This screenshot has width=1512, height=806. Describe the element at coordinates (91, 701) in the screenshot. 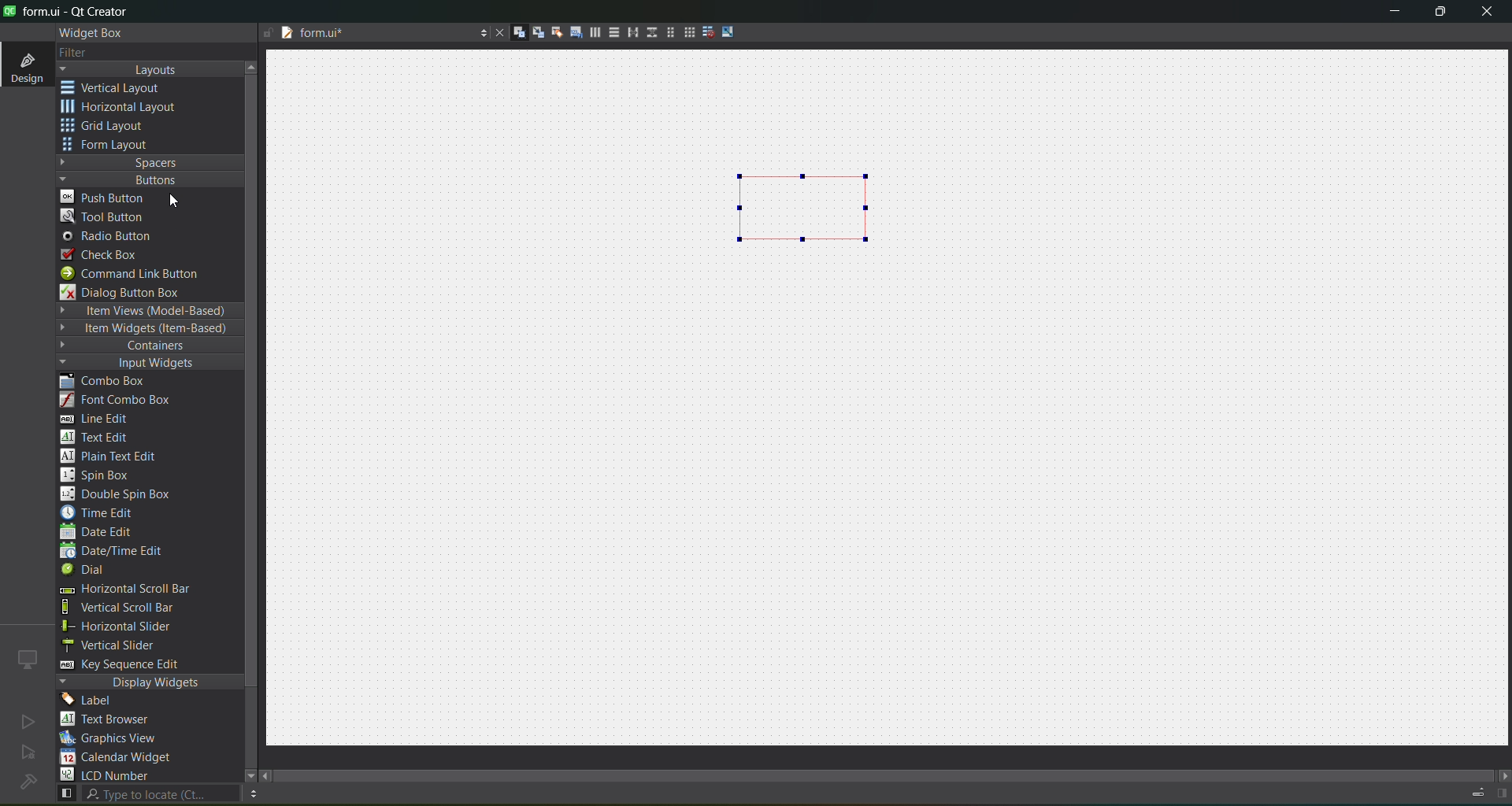

I see `label` at that location.